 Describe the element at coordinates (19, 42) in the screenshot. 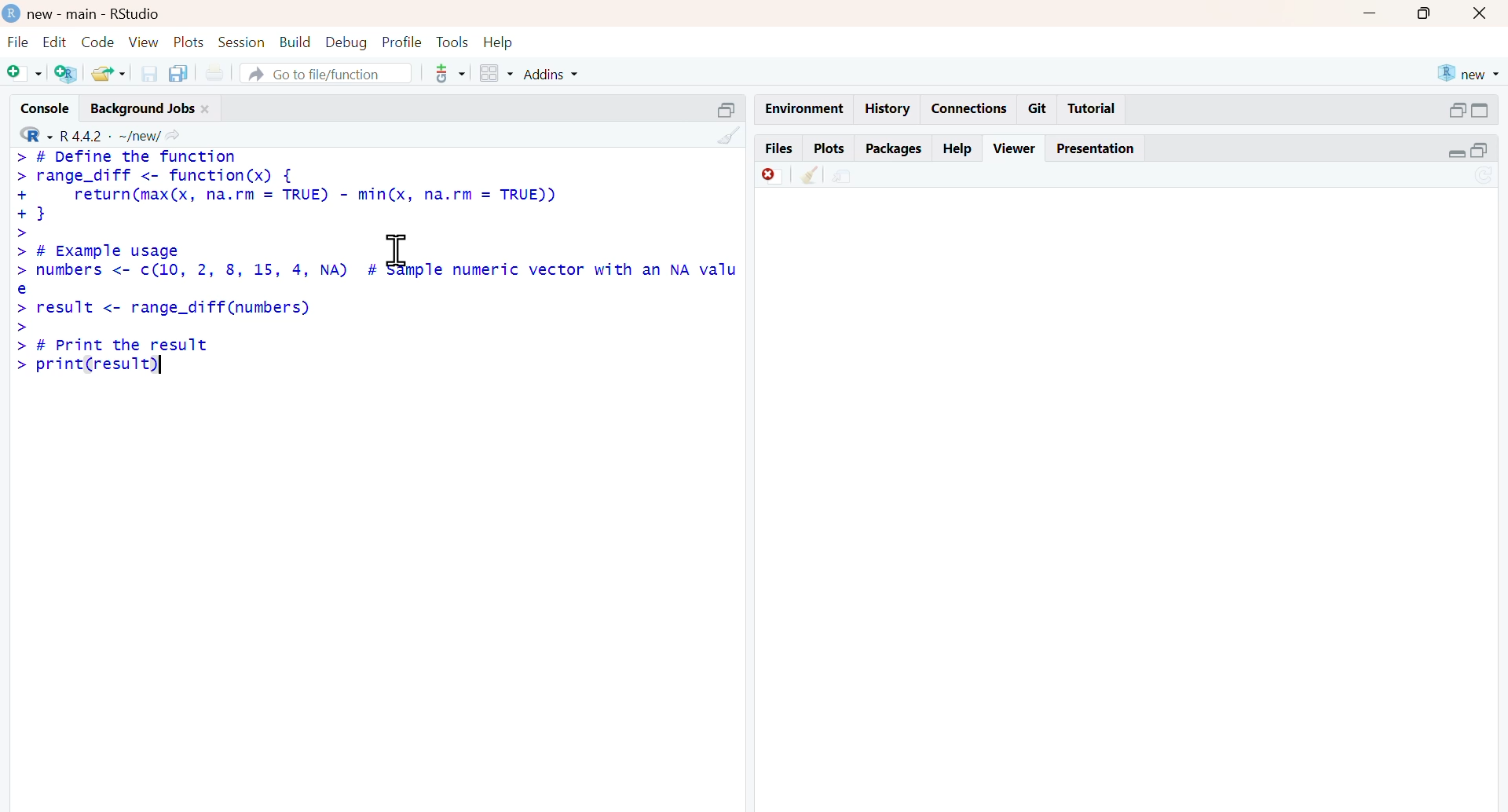

I see `file` at that location.